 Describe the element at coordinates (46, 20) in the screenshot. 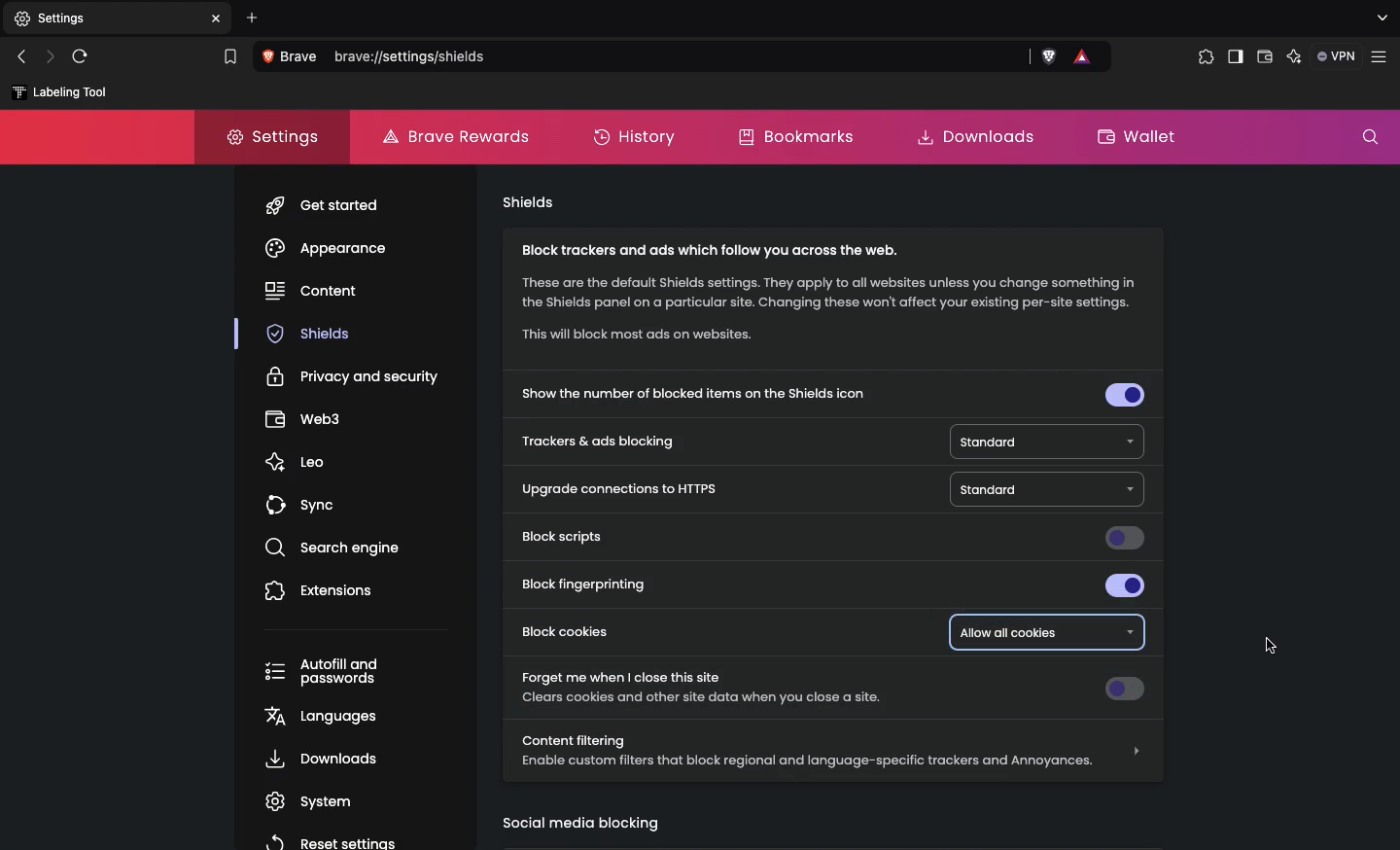

I see `New tab` at that location.